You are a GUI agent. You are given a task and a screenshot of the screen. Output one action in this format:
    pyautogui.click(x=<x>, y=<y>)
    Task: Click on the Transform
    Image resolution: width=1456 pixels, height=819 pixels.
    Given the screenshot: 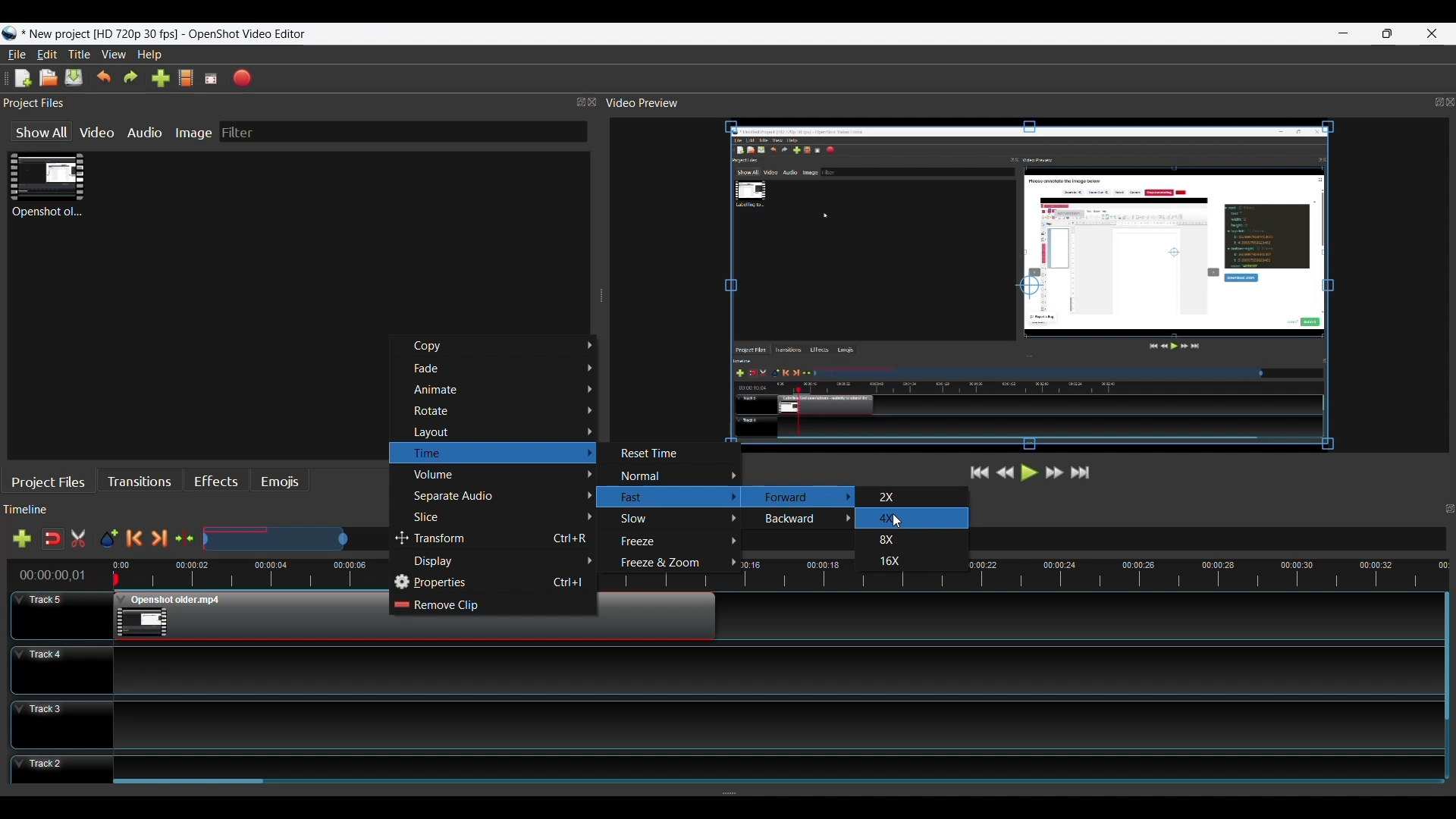 What is the action you would take?
    pyautogui.click(x=494, y=540)
    